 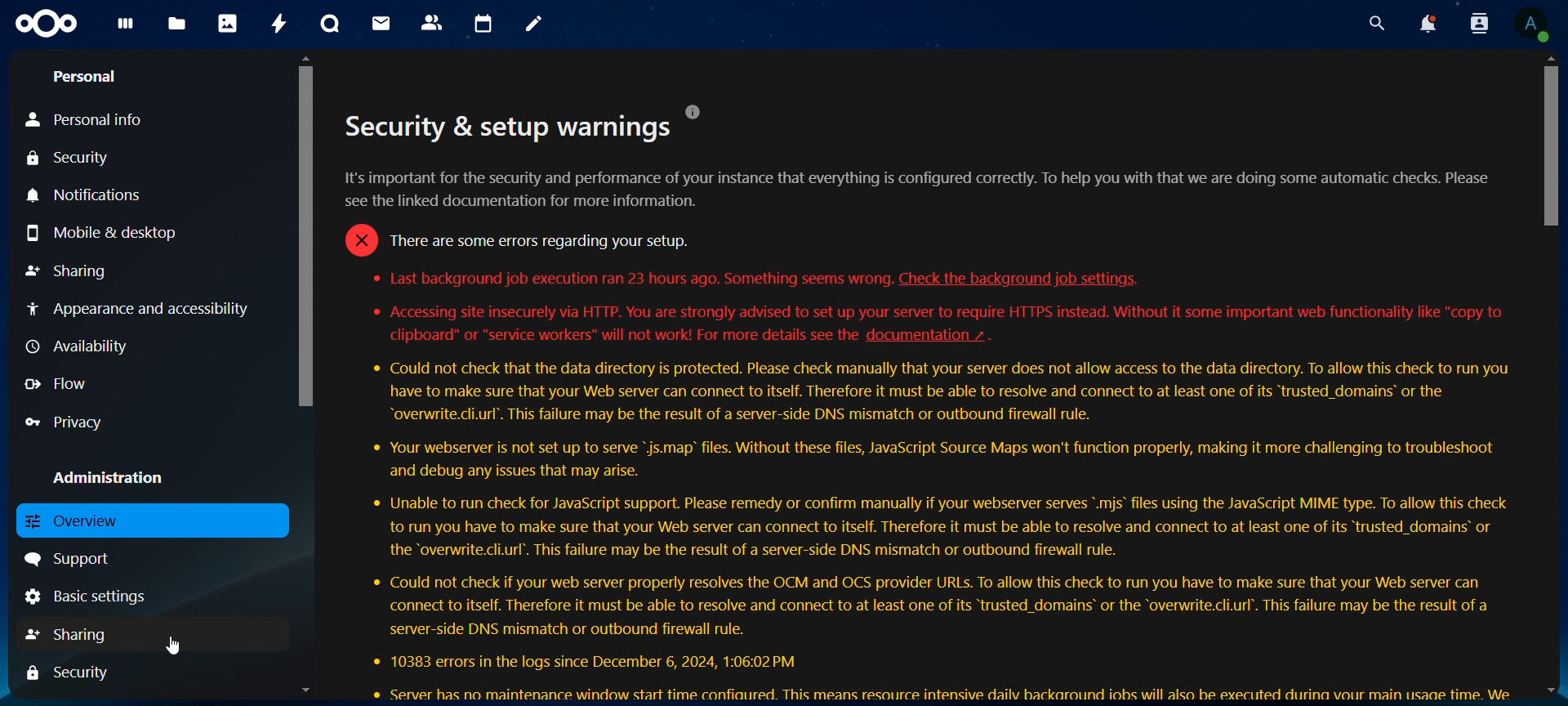 I want to click on mail, so click(x=381, y=21).